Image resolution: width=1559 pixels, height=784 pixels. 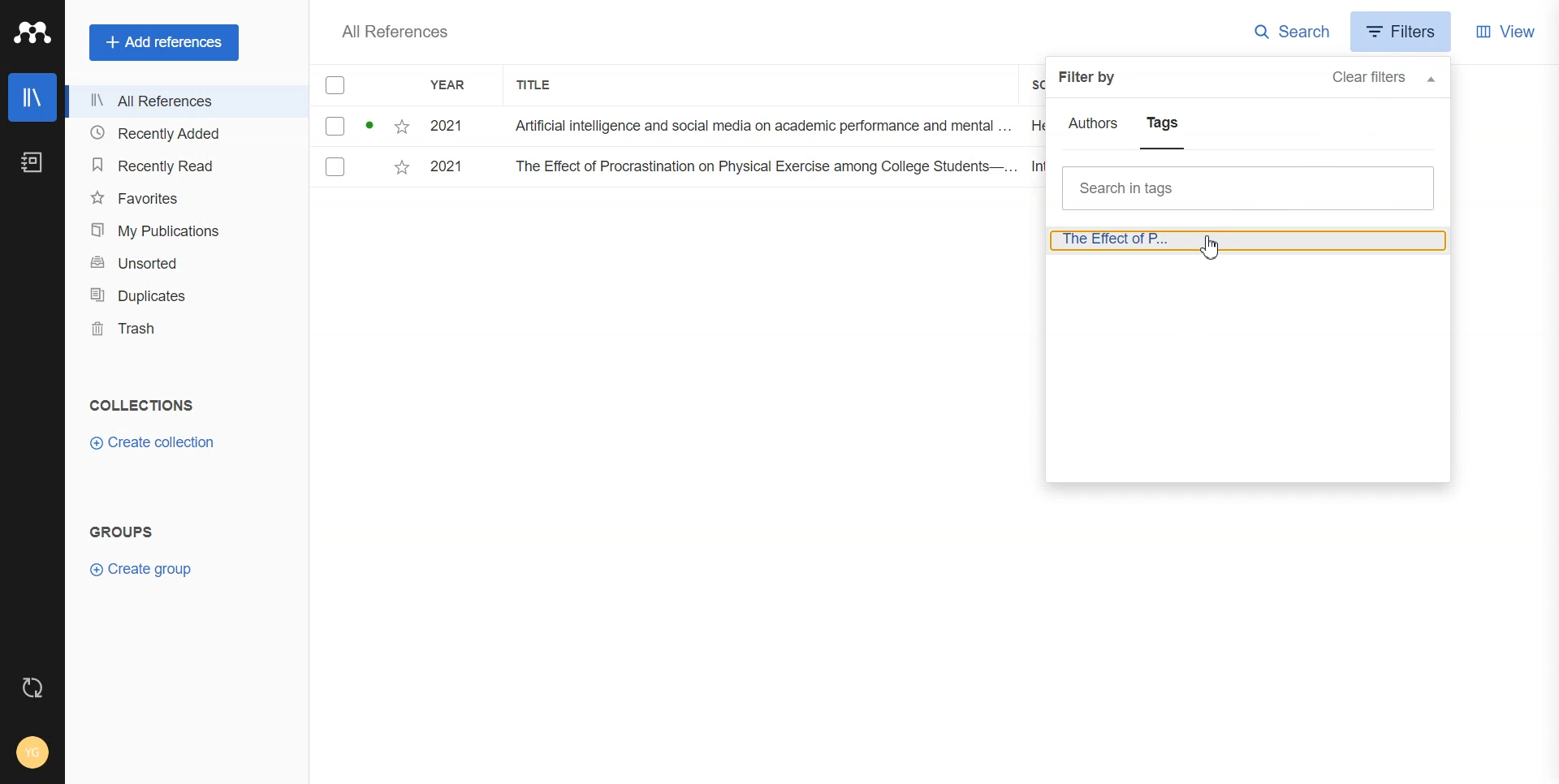 What do you see at coordinates (174, 133) in the screenshot?
I see `Recently Added` at bounding box center [174, 133].